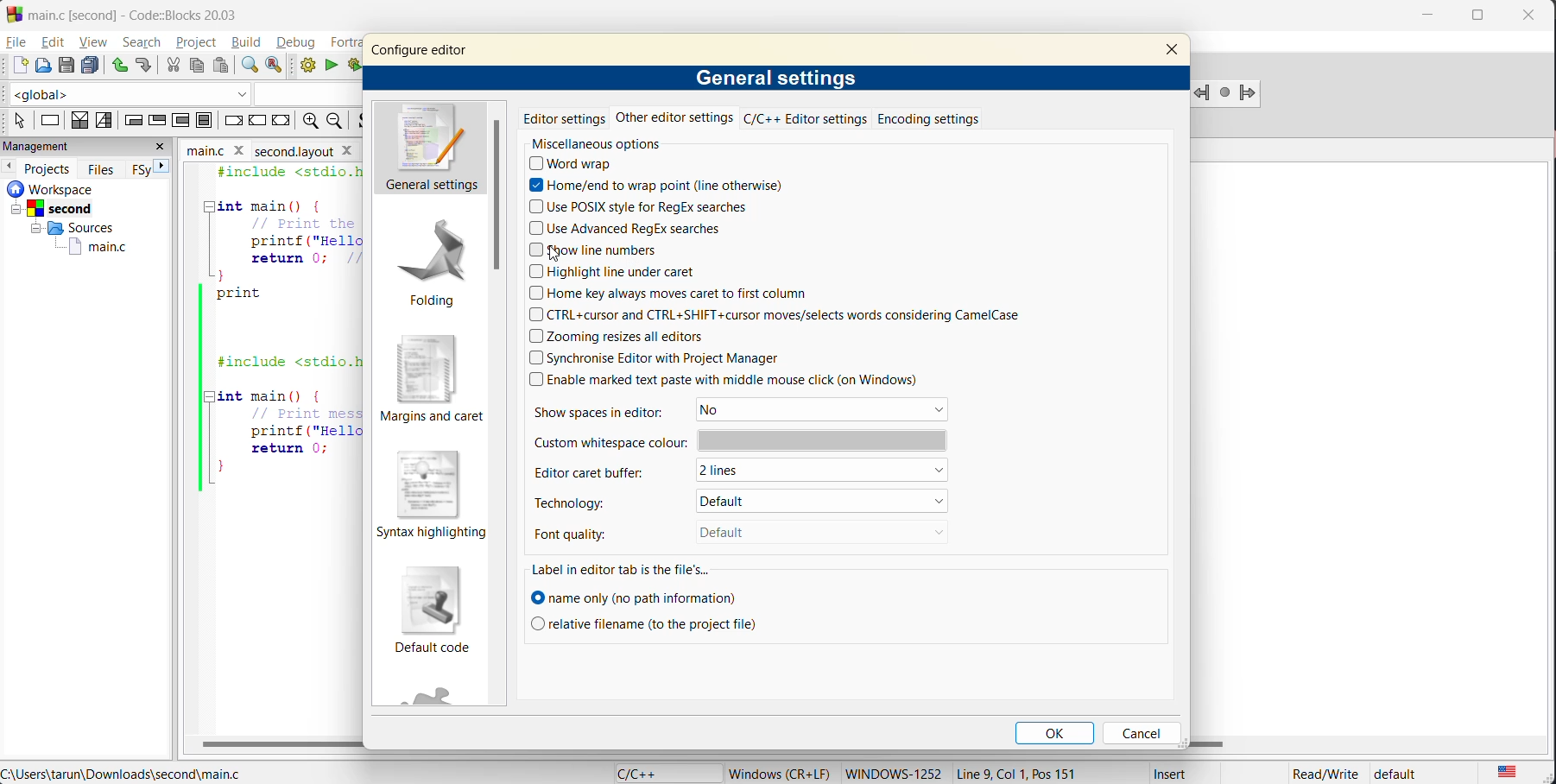  Describe the element at coordinates (351, 153) in the screenshot. I see `close` at that location.